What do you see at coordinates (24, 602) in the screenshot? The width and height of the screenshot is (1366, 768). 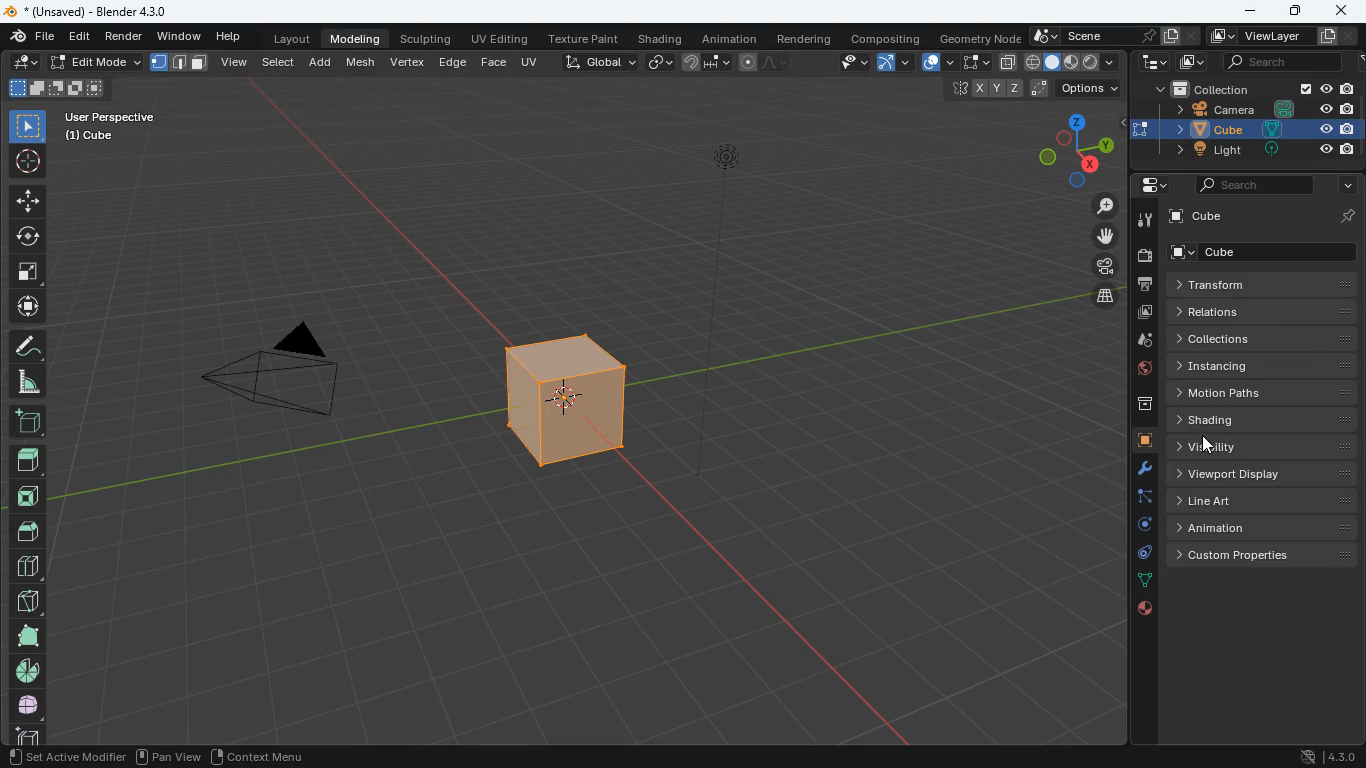 I see `diagonal` at bounding box center [24, 602].